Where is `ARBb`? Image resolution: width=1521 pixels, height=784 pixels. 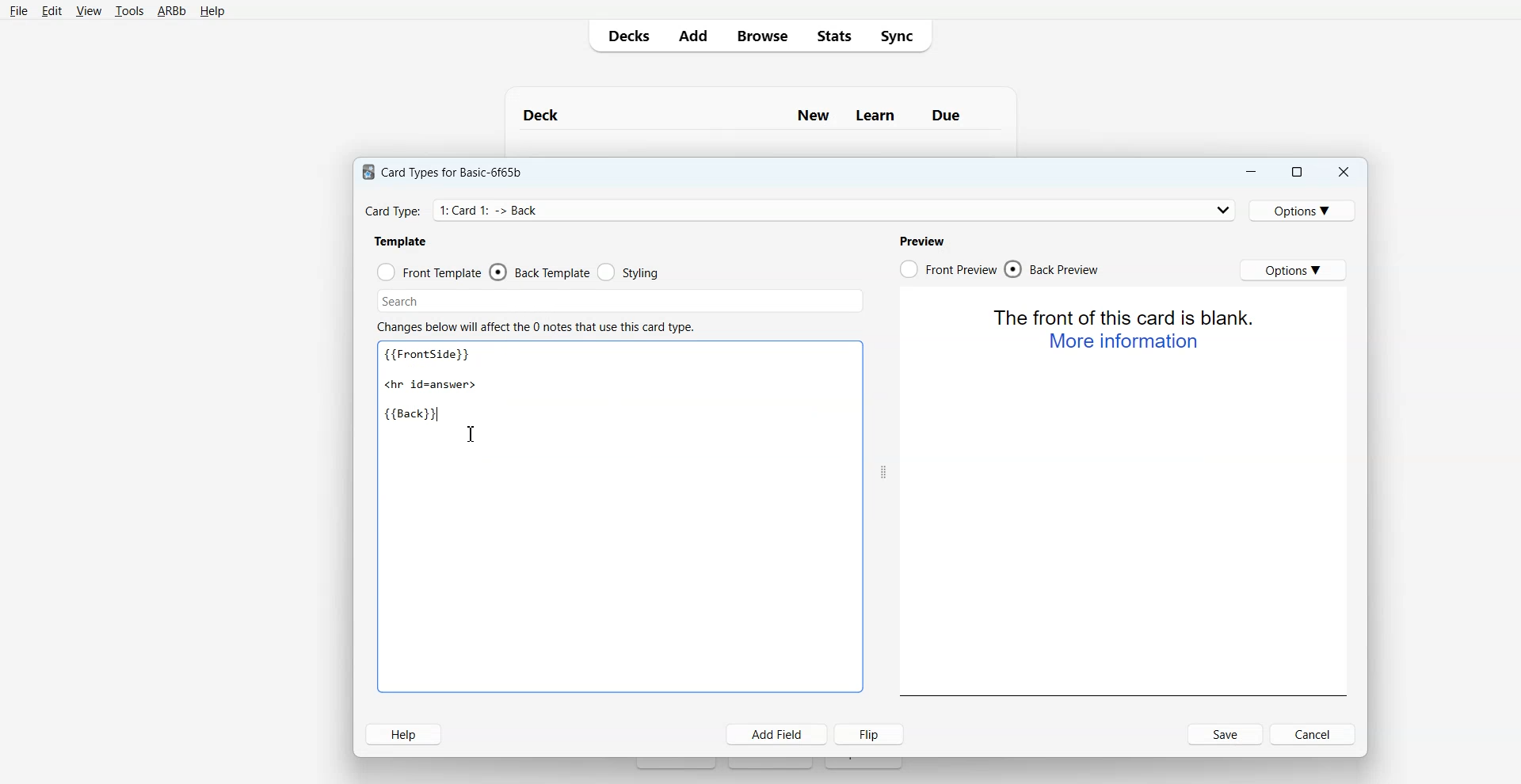
ARBb is located at coordinates (172, 11).